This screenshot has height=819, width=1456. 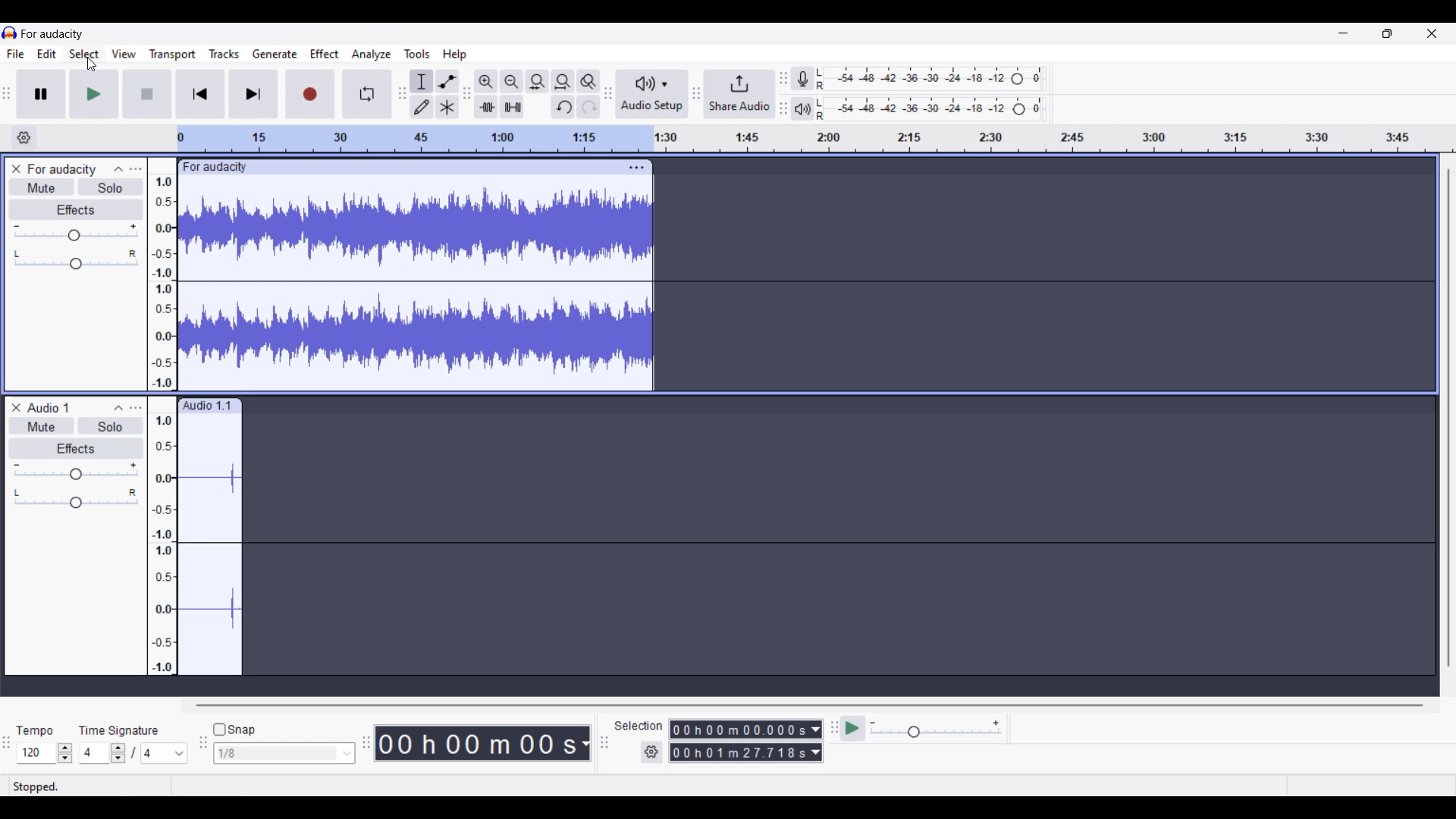 What do you see at coordinates (447, 107) in the screenshot?
I see `Multi tool` at bounding box center [447, 107].